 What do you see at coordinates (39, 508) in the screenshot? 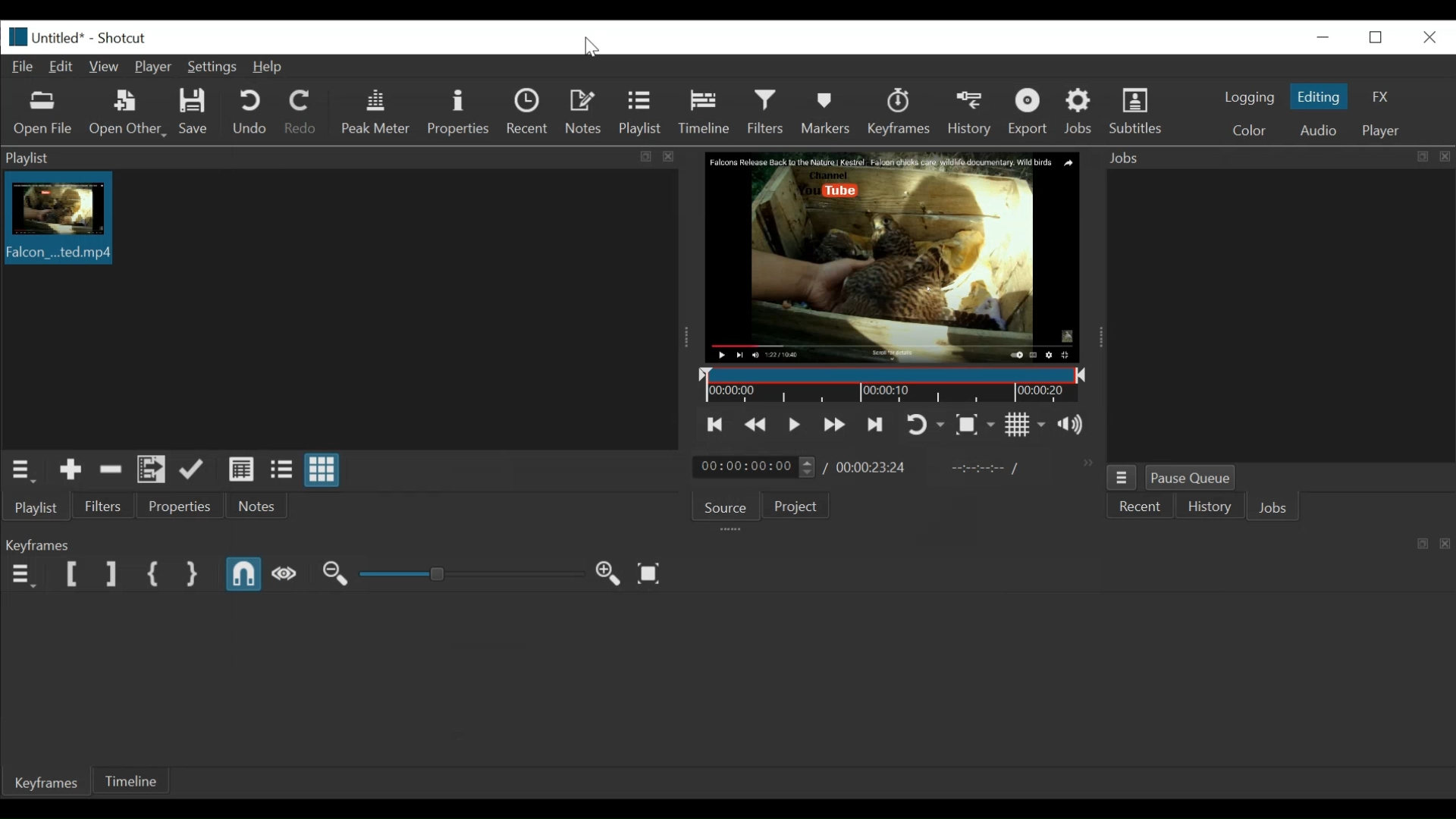
I see `Playlist` at bounding box center [39, 508].